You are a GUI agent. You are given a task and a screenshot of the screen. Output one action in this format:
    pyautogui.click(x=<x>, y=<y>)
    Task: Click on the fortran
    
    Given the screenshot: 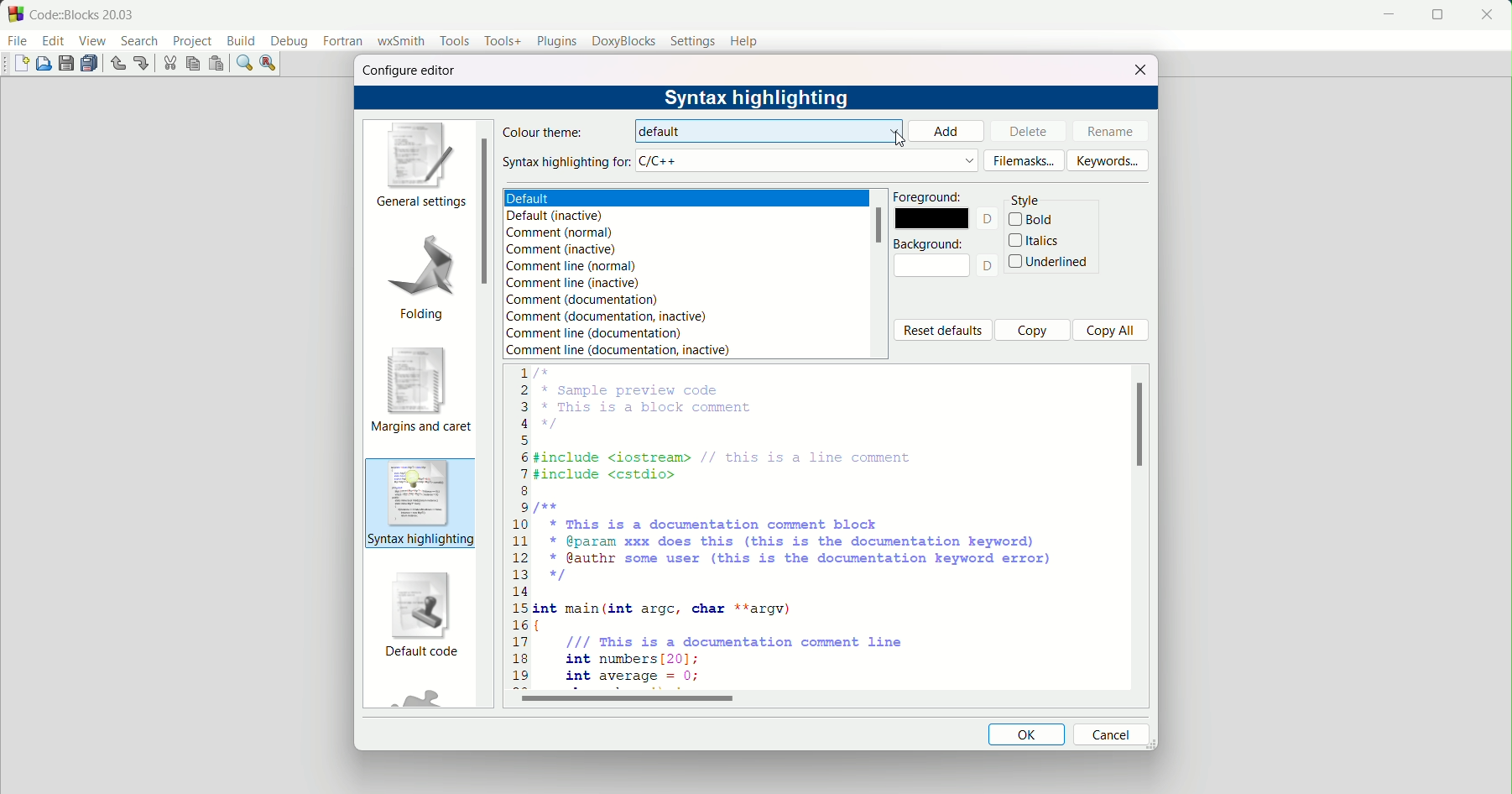 What is the action you would take?
    pyautogui.click(x=343, y=42)
    